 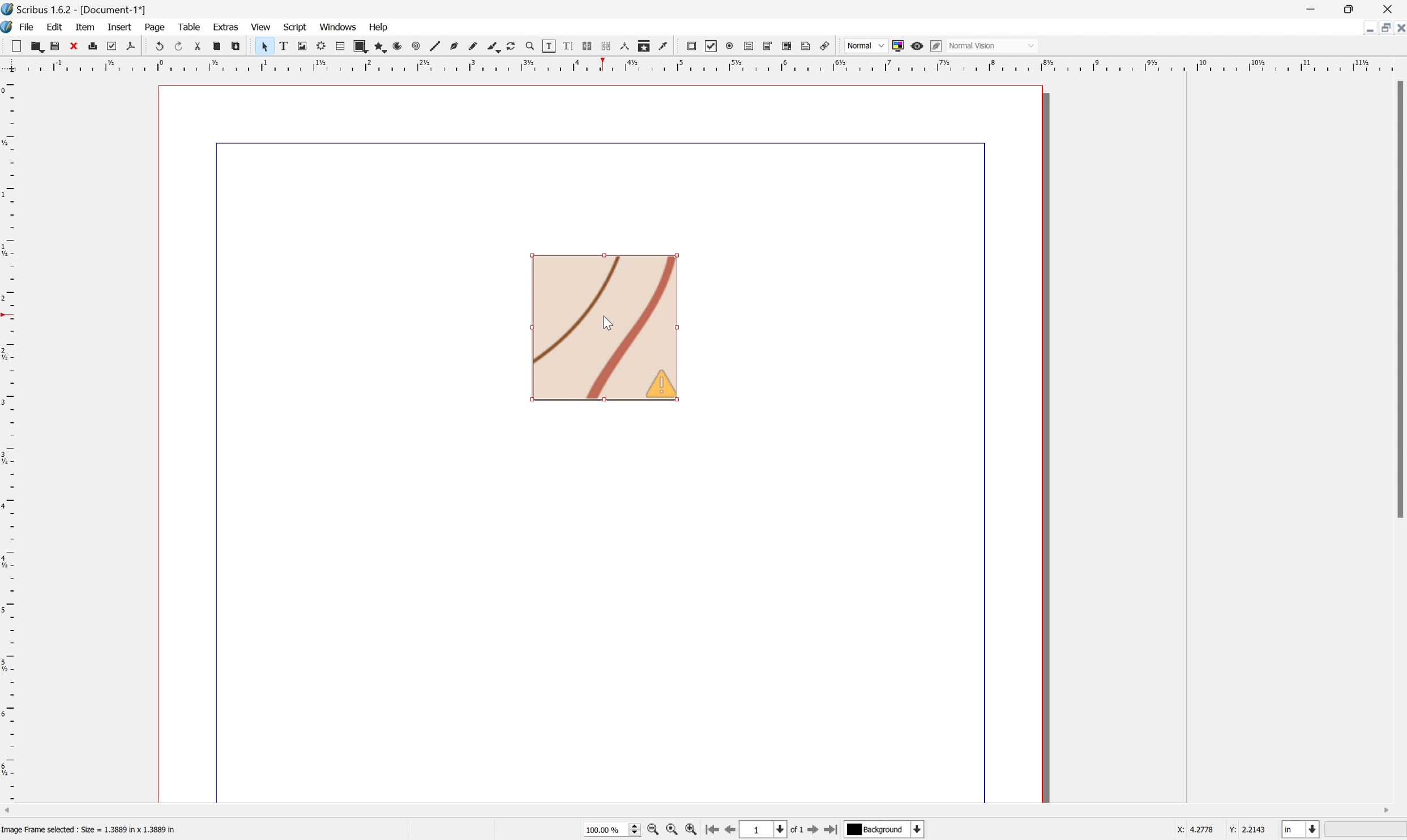 What do you see at coordinates (608, 323) in the screenshot?
I see `Cursor Position` at bounding box center [608, 323].